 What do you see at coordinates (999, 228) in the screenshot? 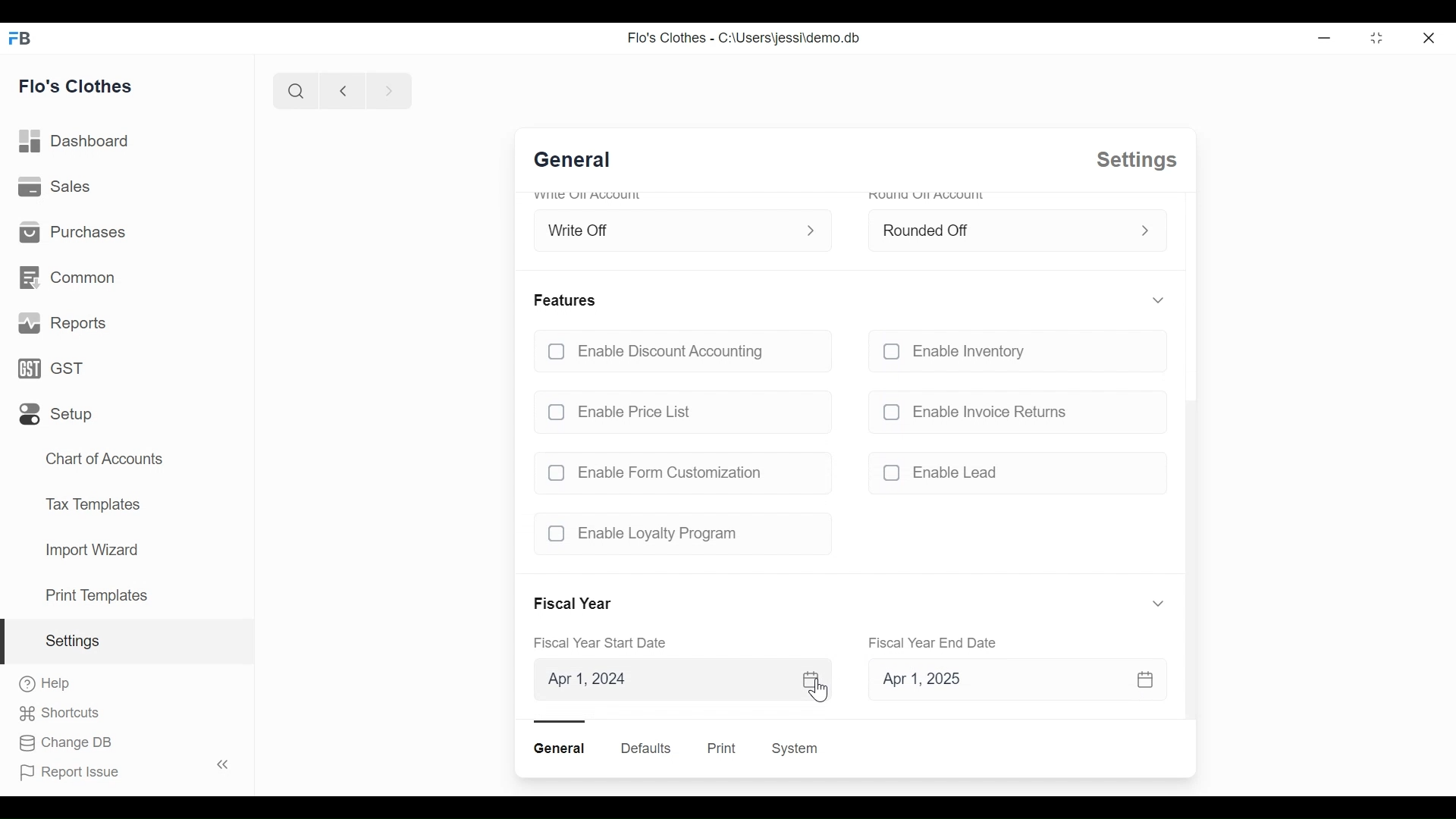
I see `Rounded Off` at bounding box center [999, 228].